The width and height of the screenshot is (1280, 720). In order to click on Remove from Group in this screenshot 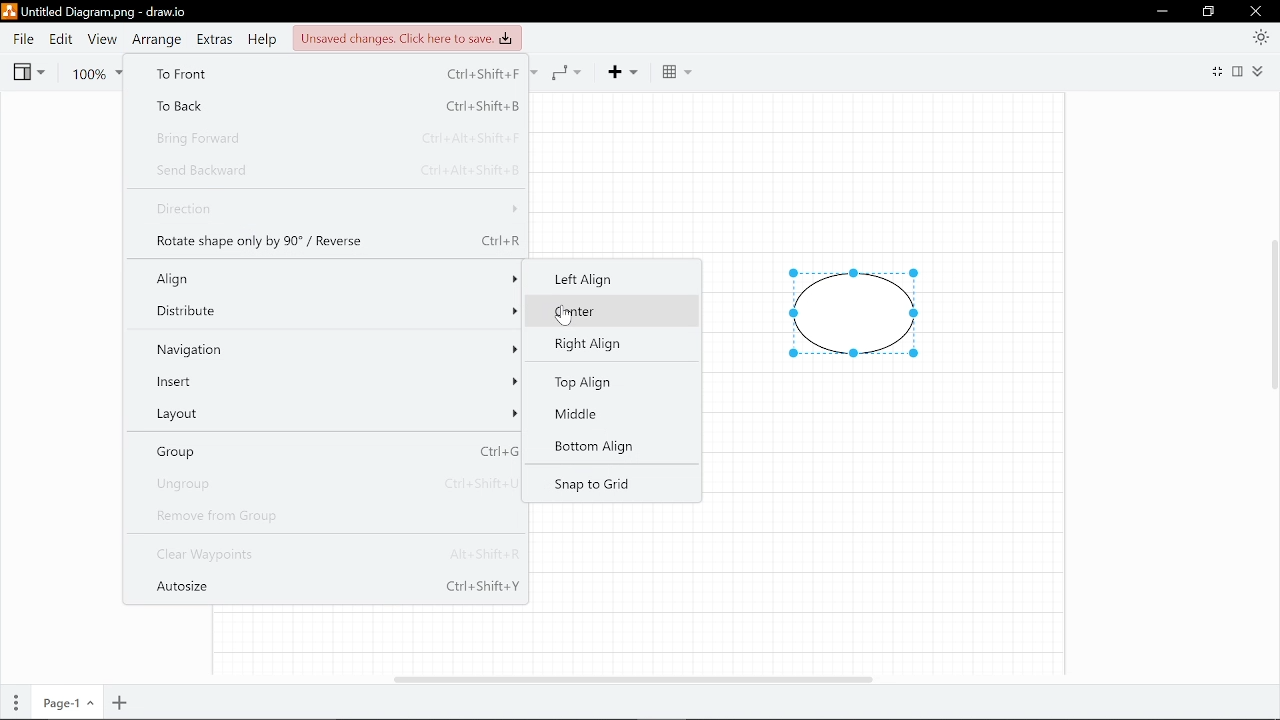, I will do `click(328, 516)`.